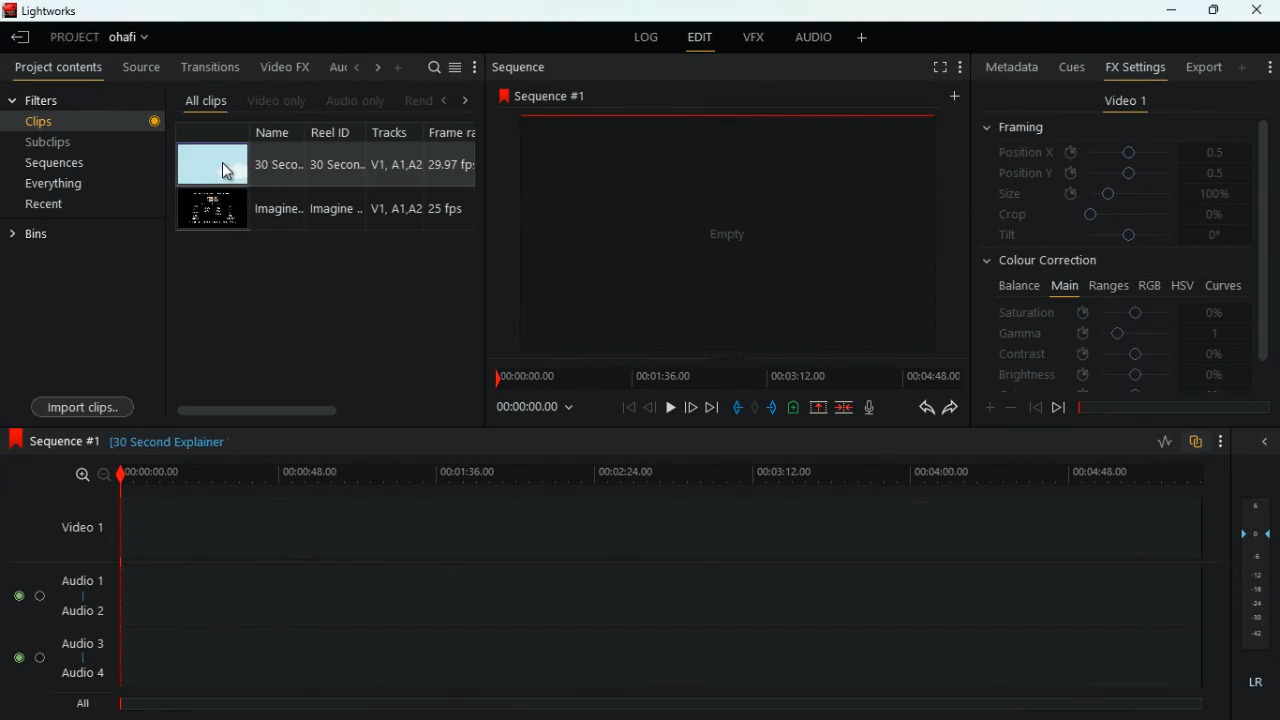  What do you see at coordinates (960, 67) in the screenshot?
I see `Setting` at bounding box center [960, 67].